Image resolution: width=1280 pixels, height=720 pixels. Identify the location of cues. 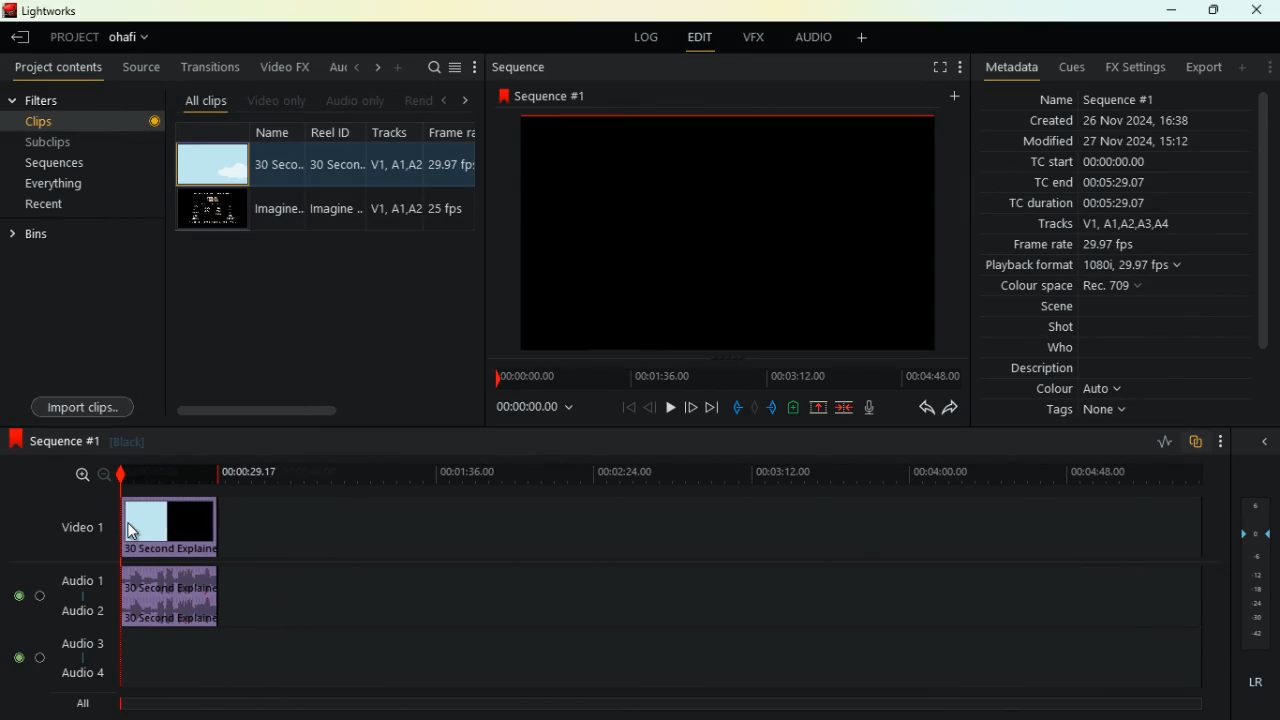
(1066, 67).